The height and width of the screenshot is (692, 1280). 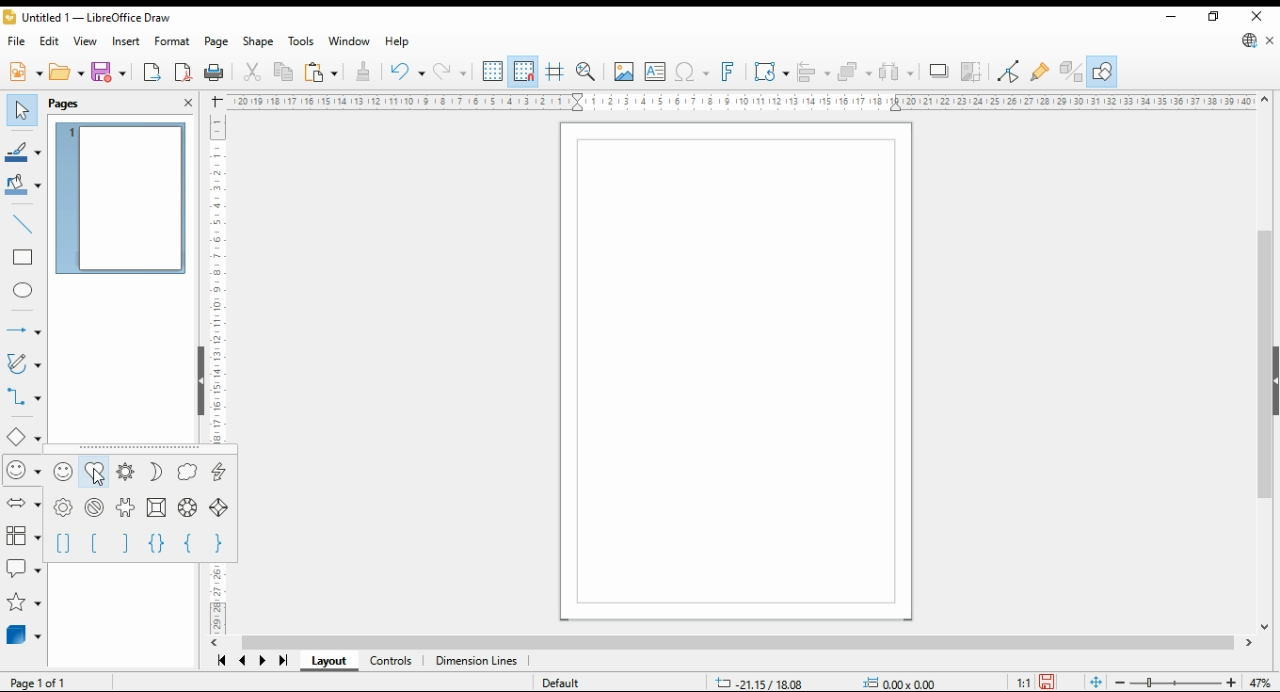 What do you see at coordinates (123, 198) in the screenshot?
I see `page 1` at bounding box center [123, 198].